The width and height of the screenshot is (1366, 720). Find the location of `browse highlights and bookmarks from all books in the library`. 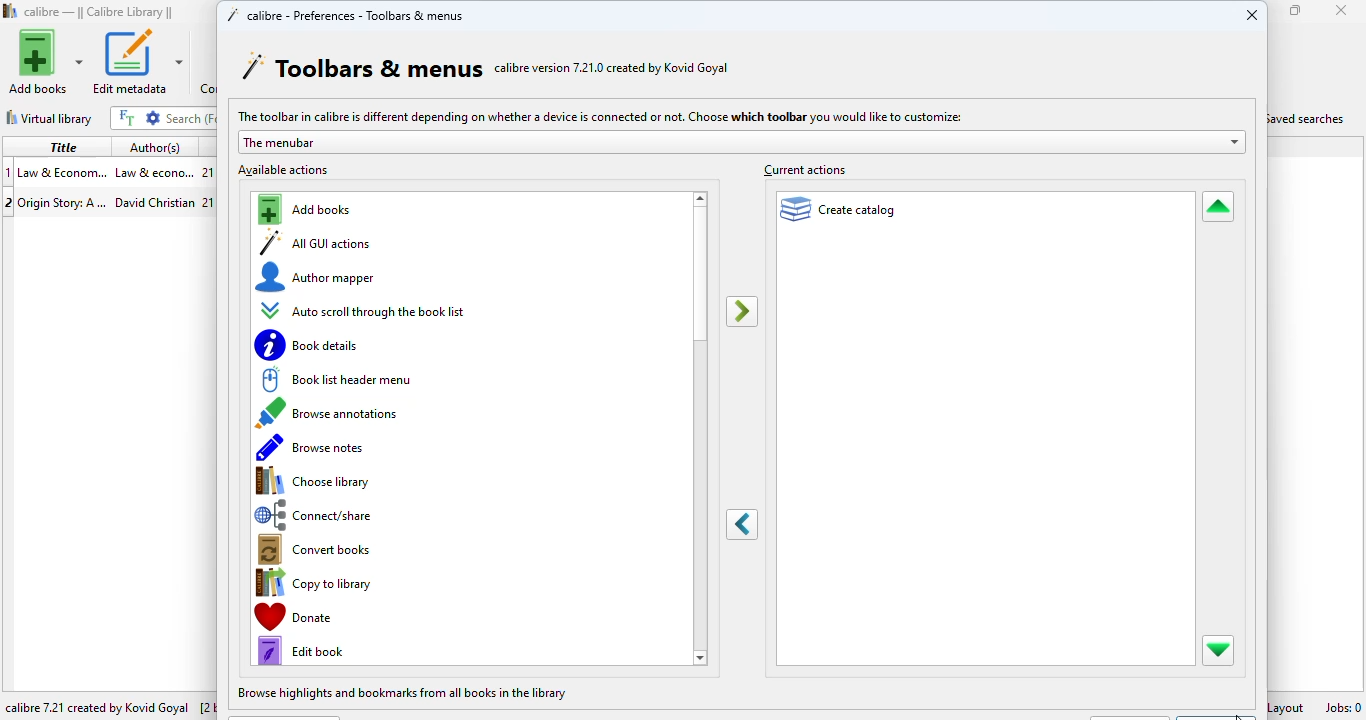

browse highlights and bookmarks from all books in the library is located at coordinates (404, 691).